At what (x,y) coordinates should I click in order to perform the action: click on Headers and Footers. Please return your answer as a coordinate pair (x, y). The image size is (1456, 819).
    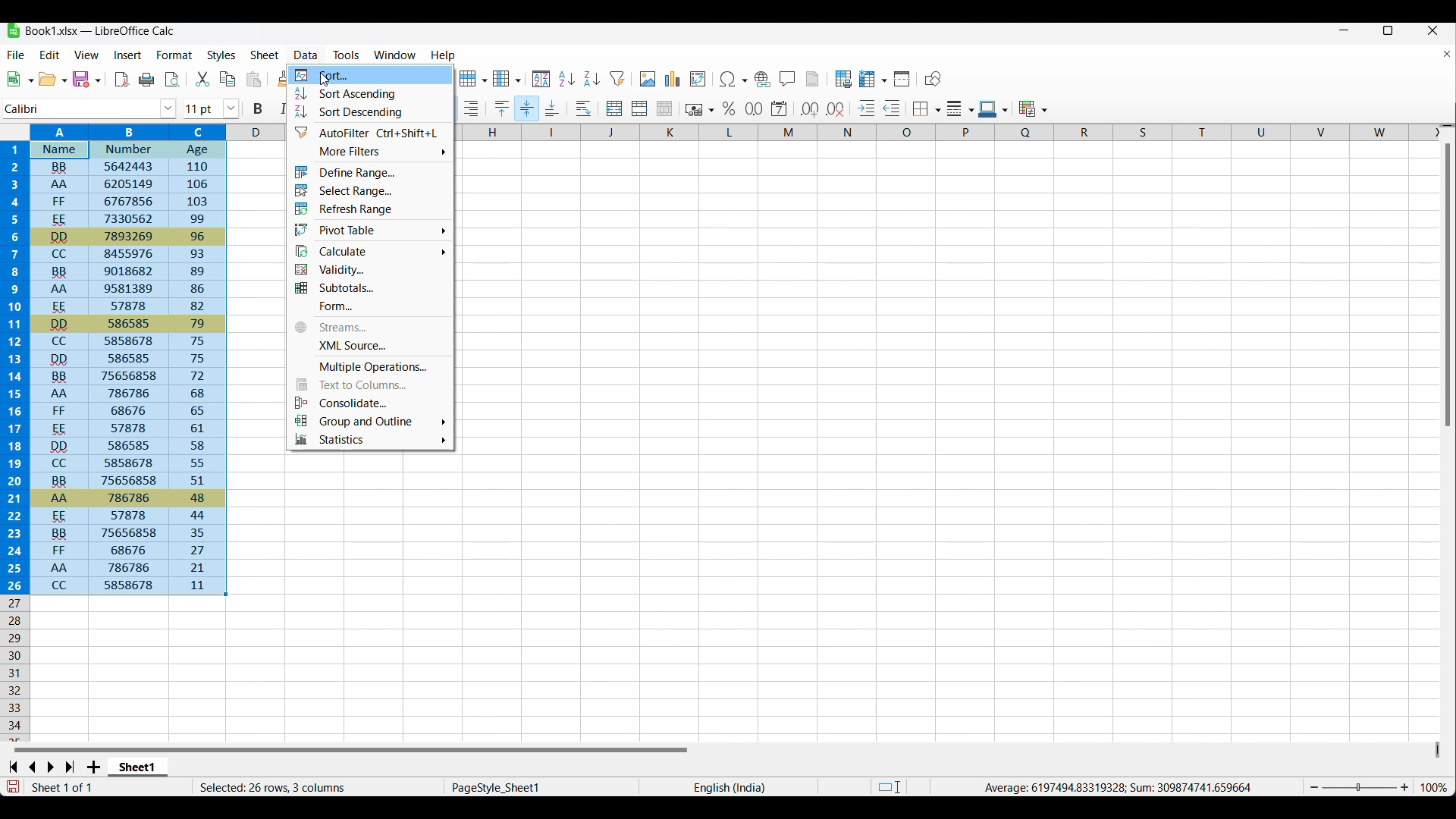
    Looking at the image, I should click on (813, 79).